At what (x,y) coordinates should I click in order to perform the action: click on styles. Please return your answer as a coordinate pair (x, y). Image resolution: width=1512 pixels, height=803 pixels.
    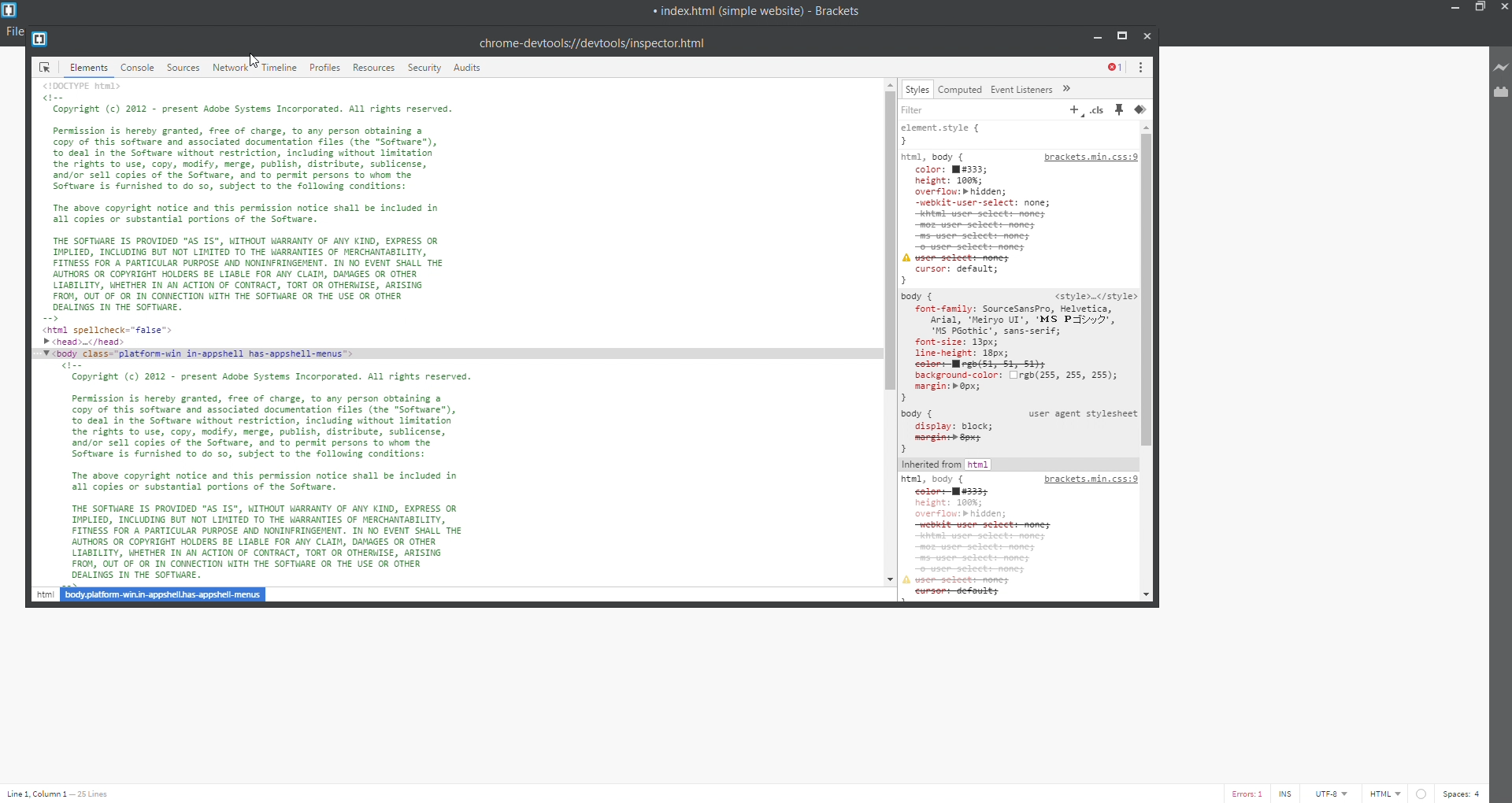
    Looking at the image, I should click on (1019, 361).